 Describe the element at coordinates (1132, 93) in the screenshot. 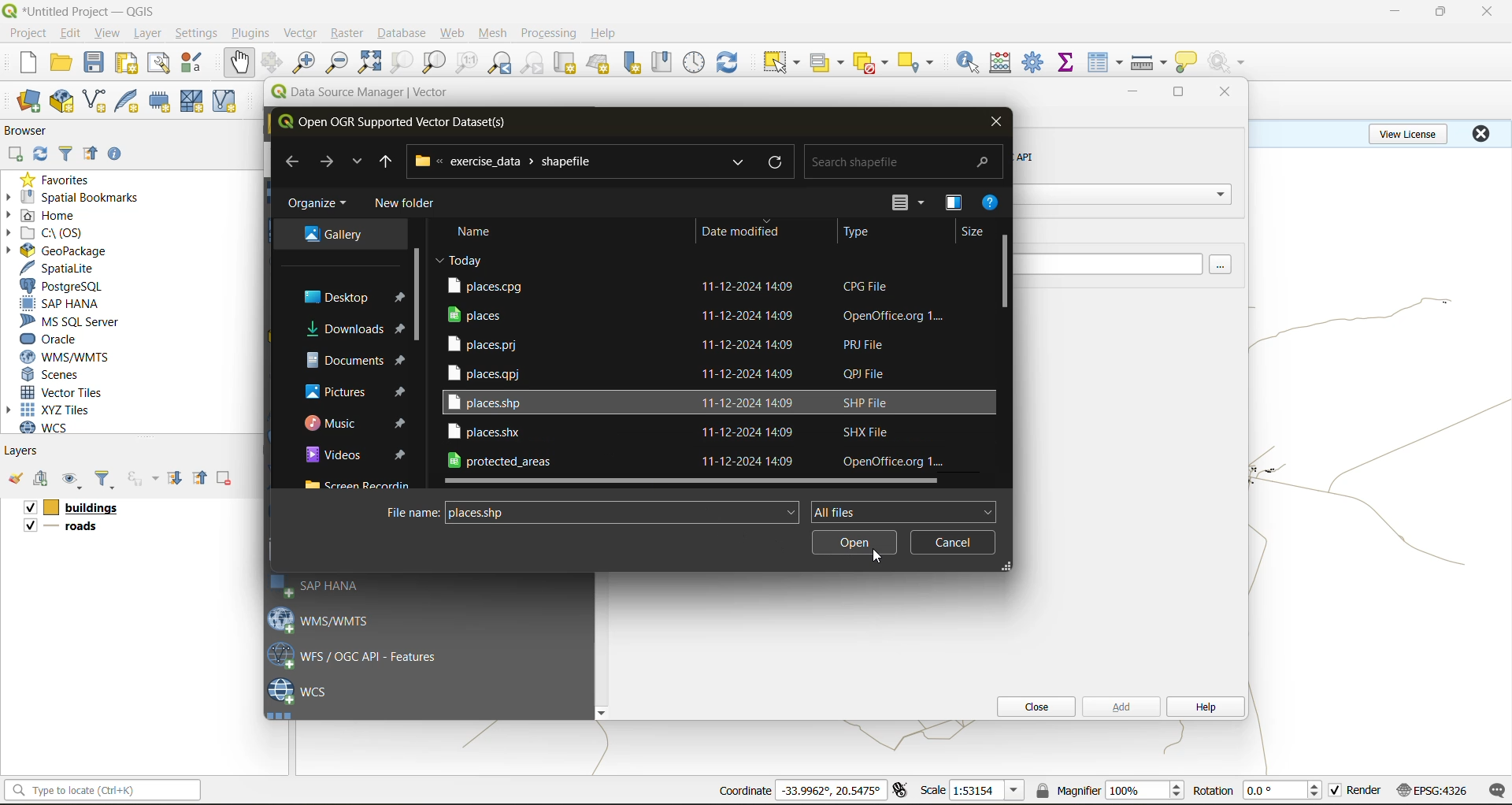

I see `minimize` at that location.